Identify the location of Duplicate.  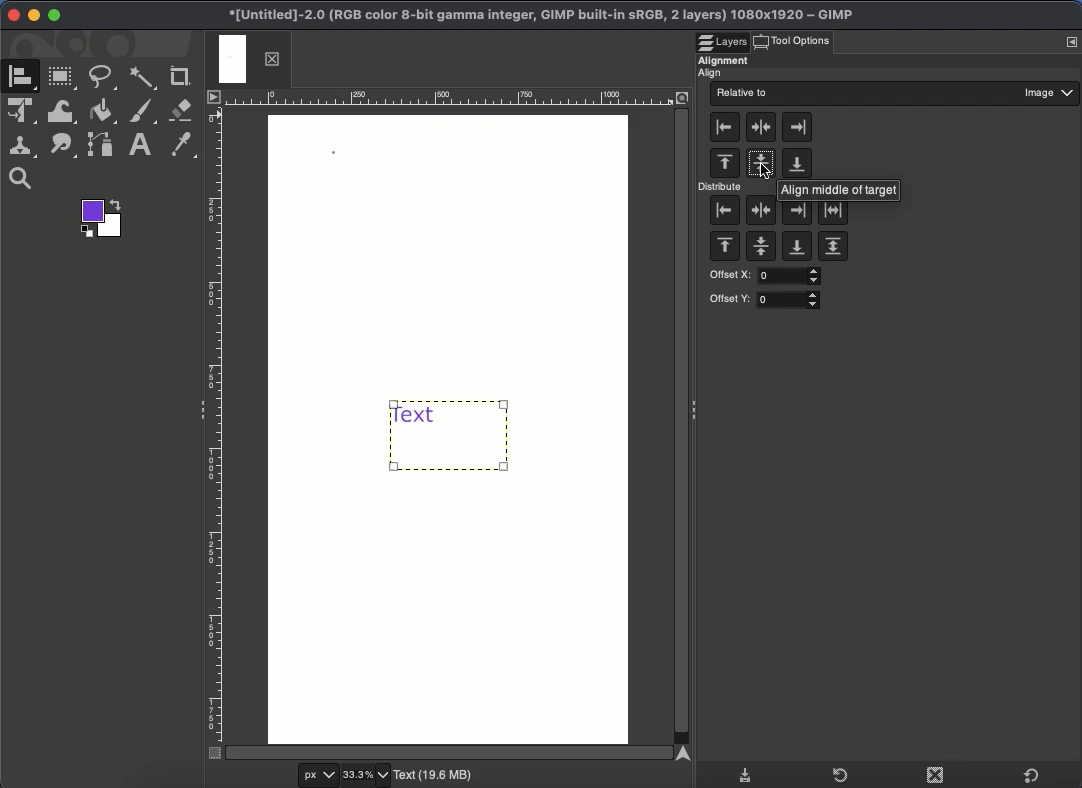
(934, 777).